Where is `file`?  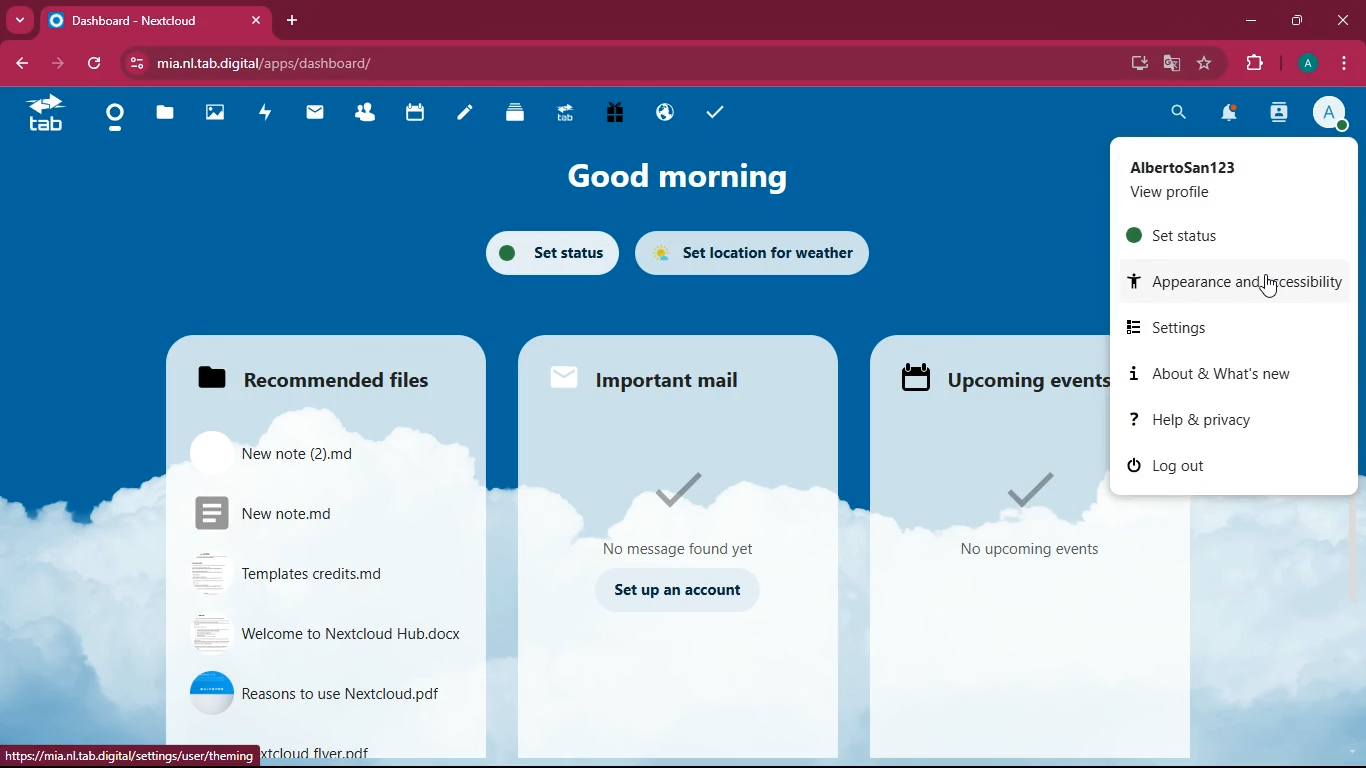
file is located at coordinates (297, 453).